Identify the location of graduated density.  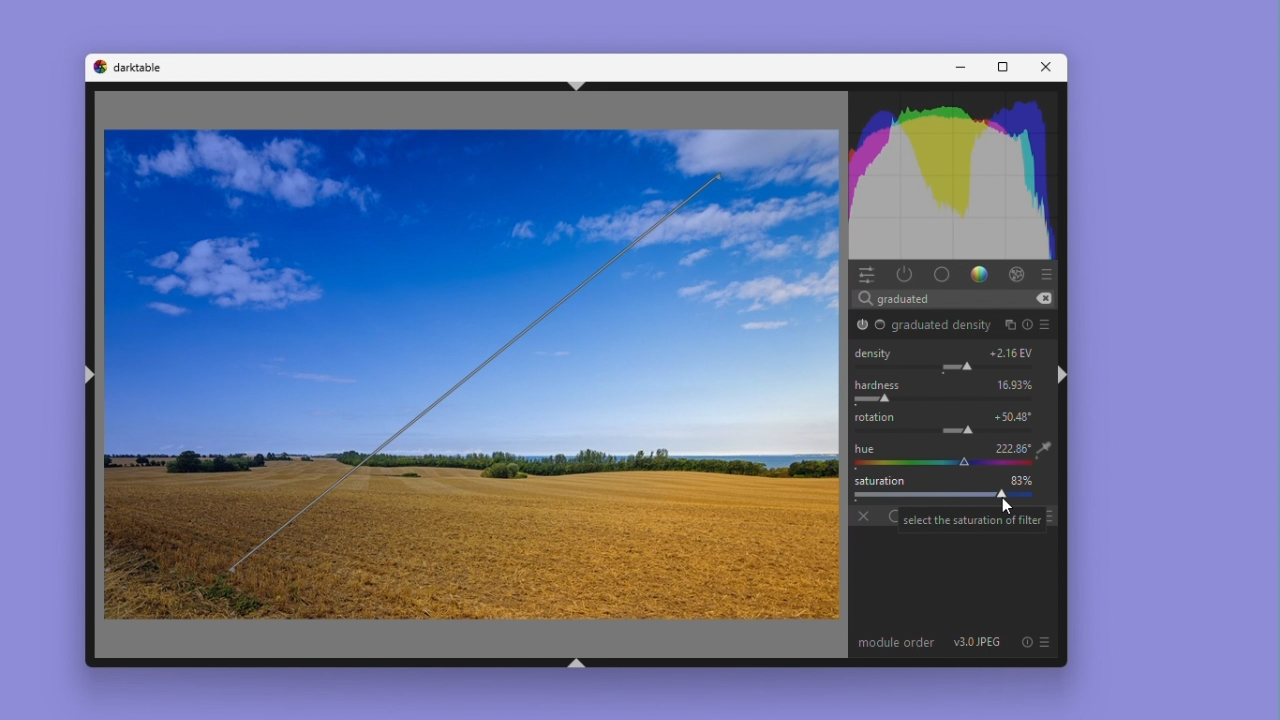
(941, 327).